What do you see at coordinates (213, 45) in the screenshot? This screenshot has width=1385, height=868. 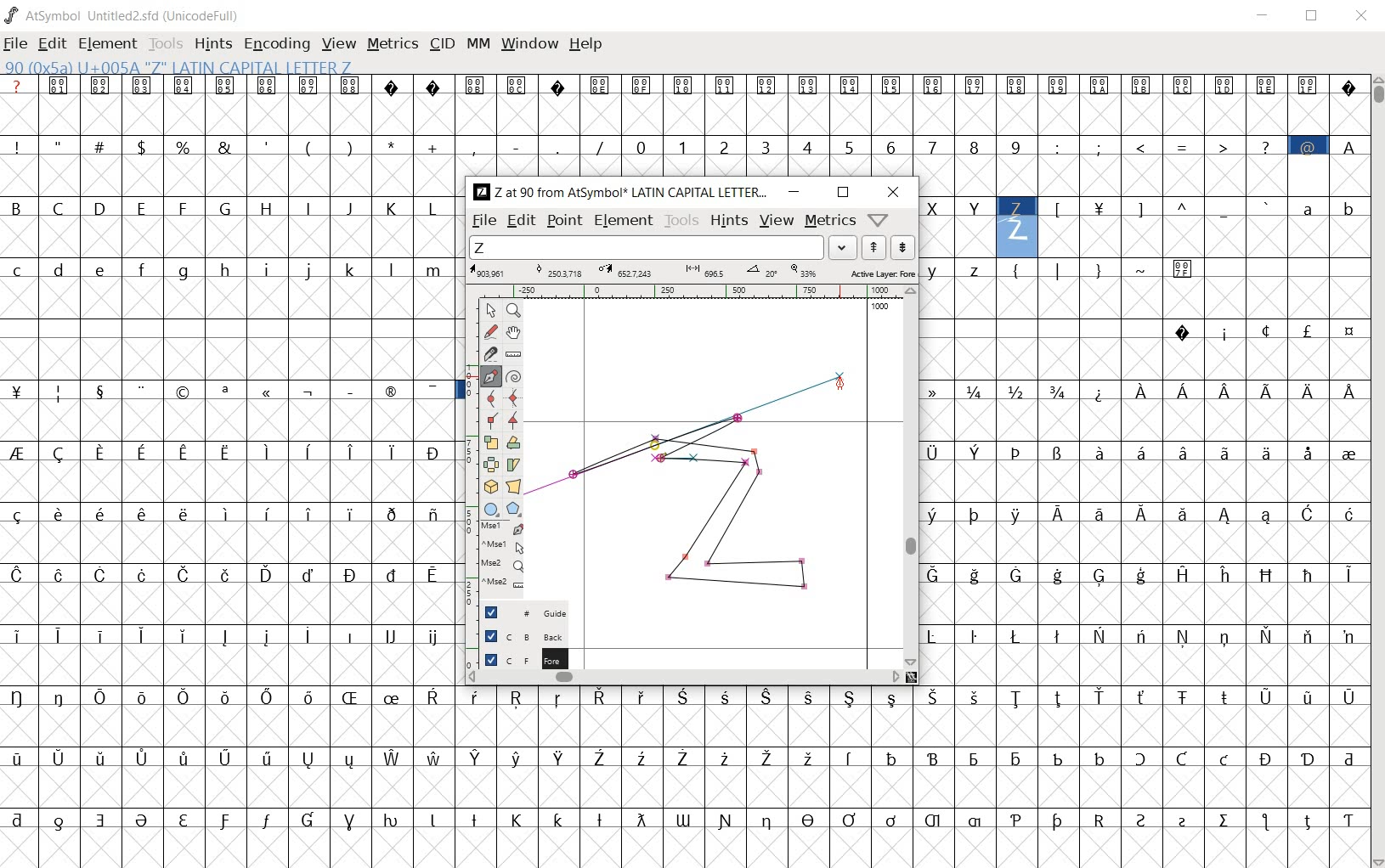 I see `hints` at bounding box center [213, 45].